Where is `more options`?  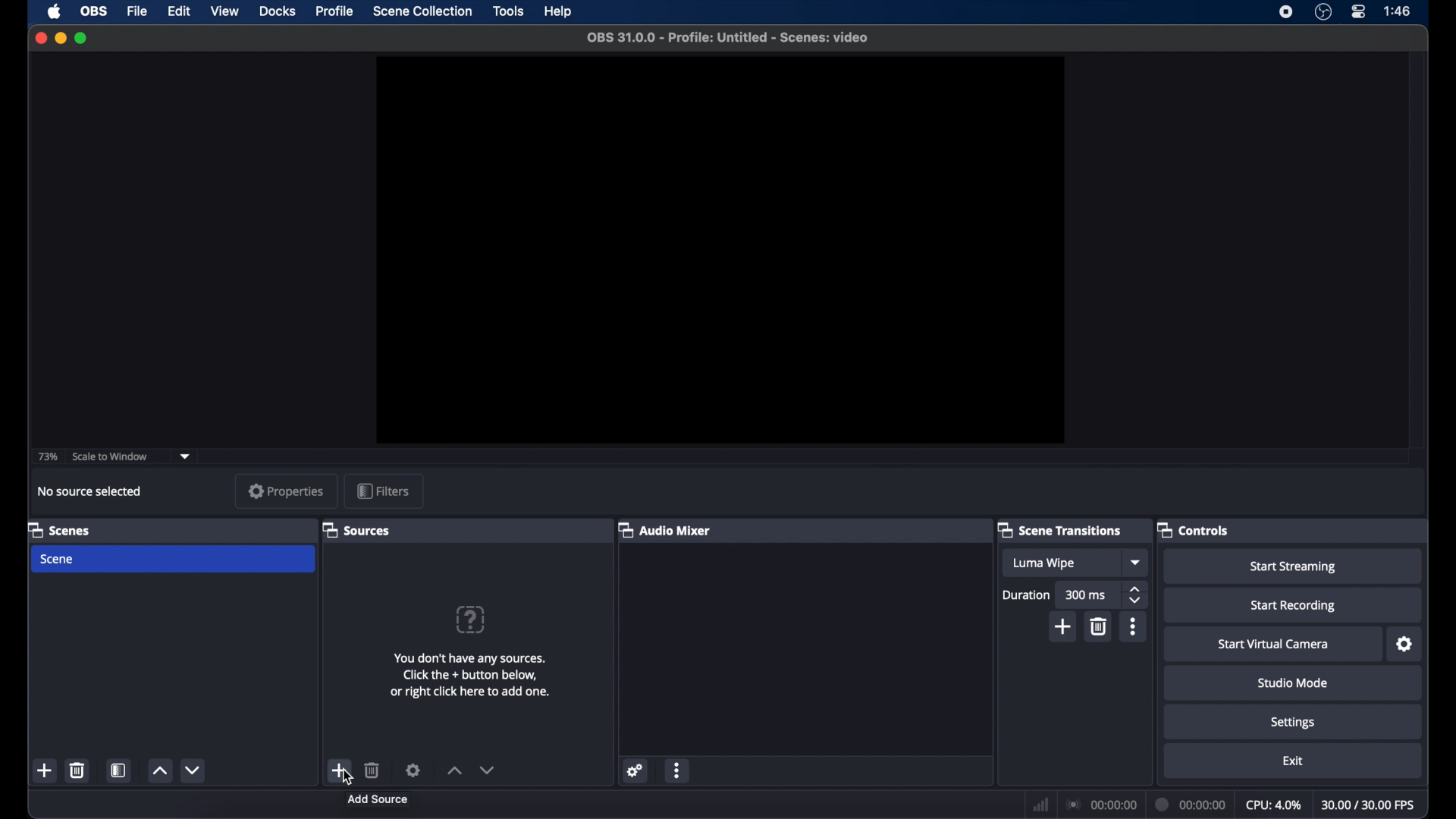
more options is located at coordinates (1134, 626).